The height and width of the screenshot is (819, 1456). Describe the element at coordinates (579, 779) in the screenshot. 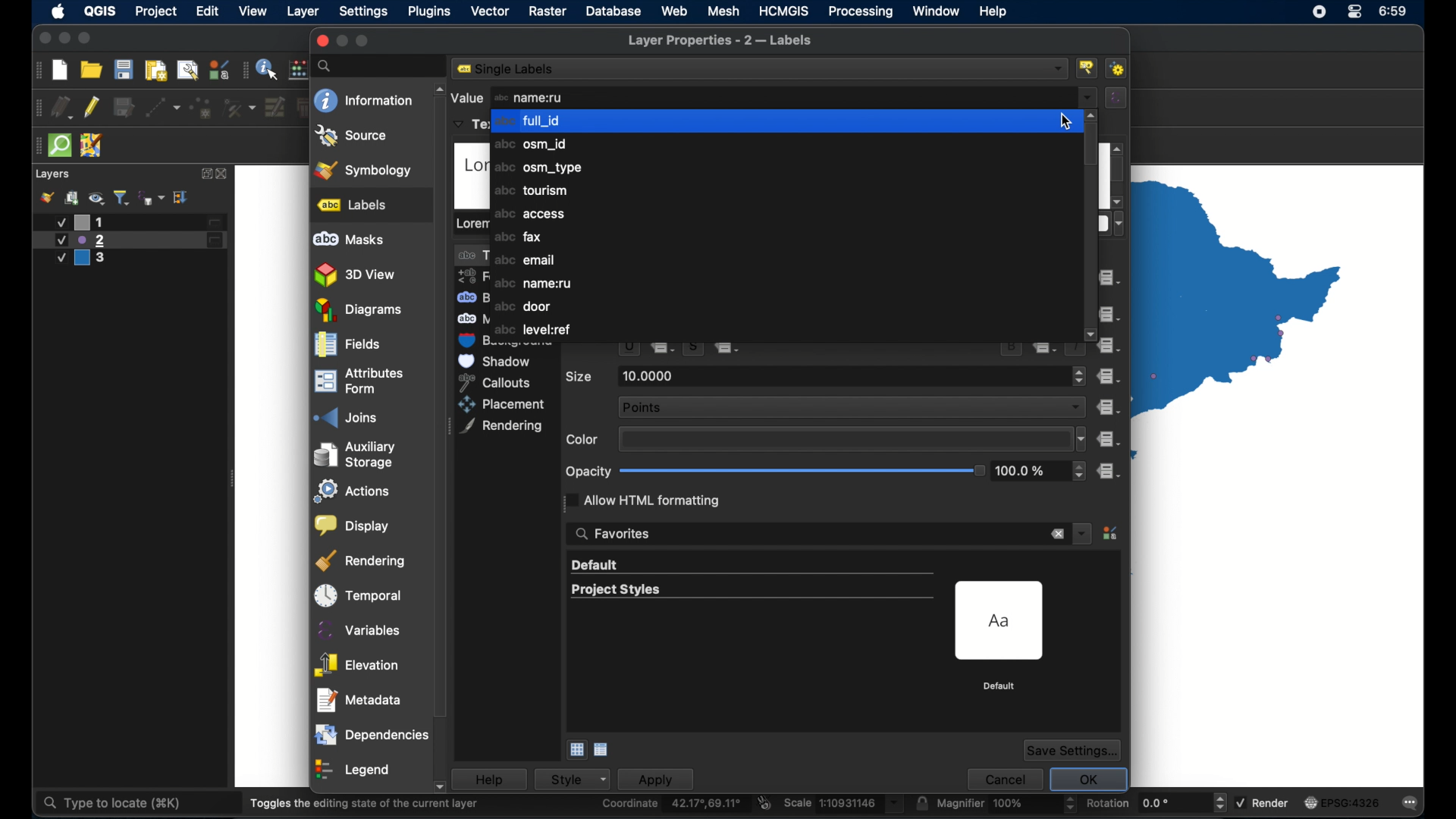

I see `style` at that location.